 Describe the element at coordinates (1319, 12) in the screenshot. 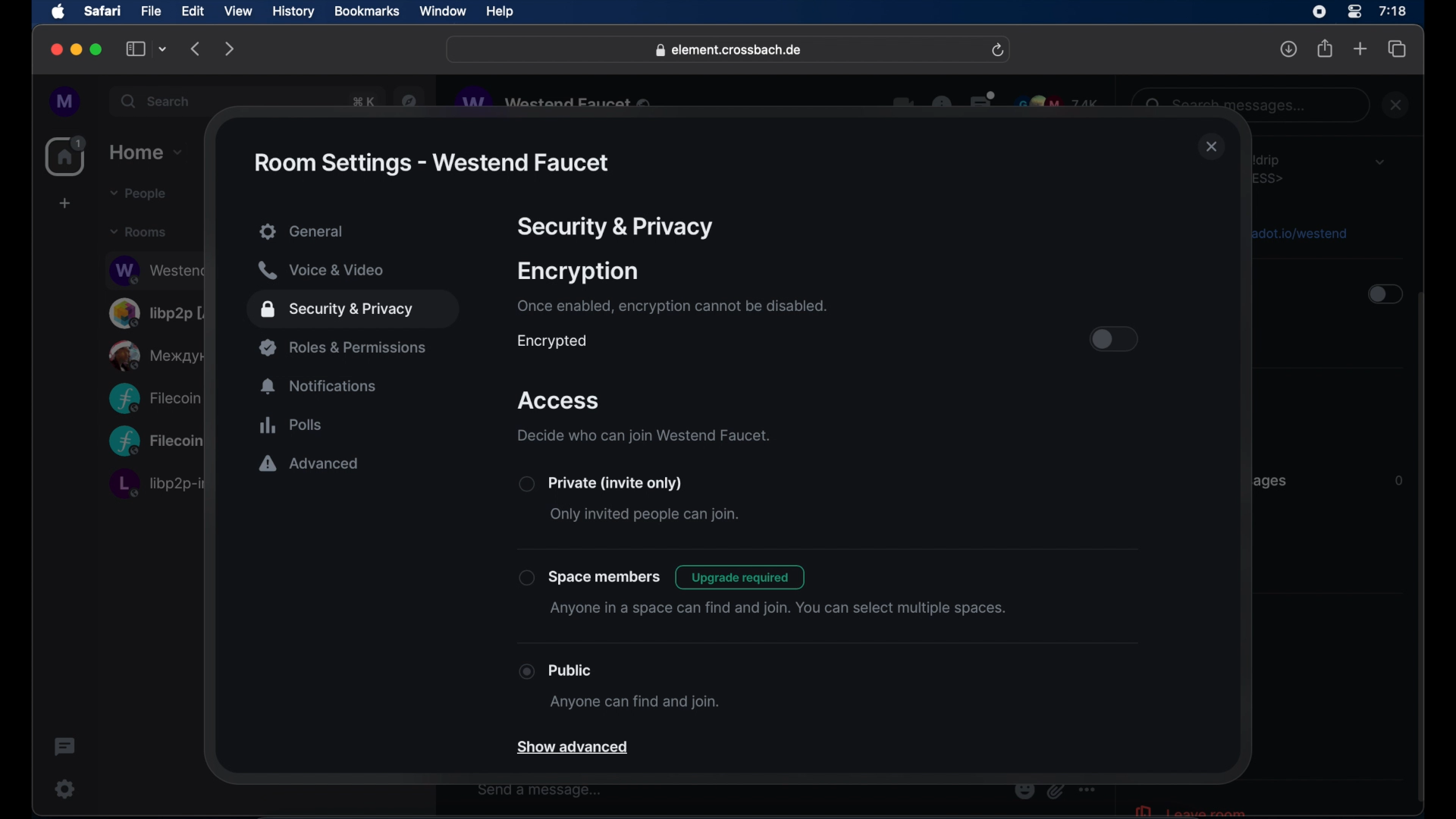

I see `screen recorder icon` at that location.